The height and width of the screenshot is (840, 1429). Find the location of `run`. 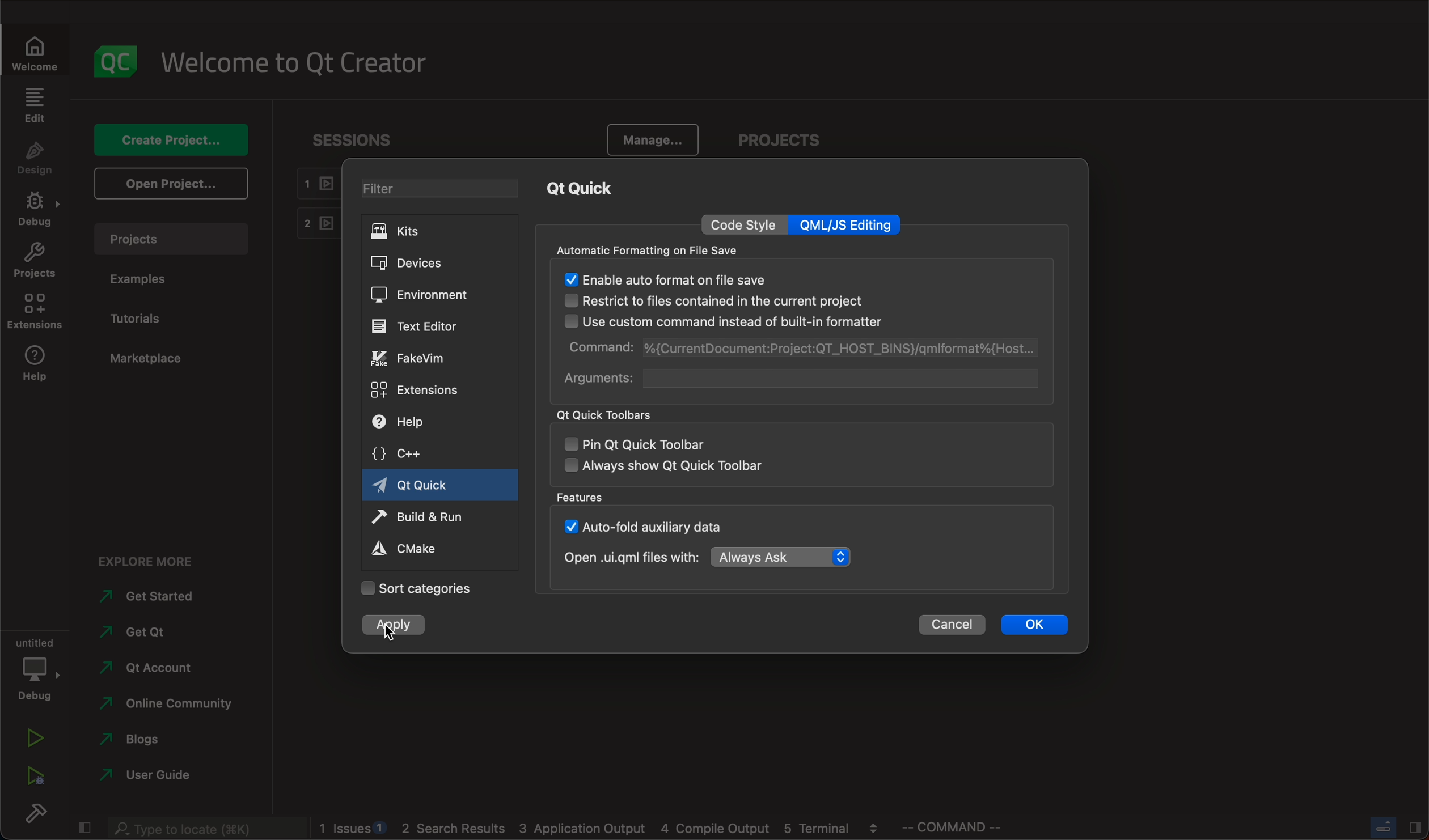

run is located at coordinates (36, 738).